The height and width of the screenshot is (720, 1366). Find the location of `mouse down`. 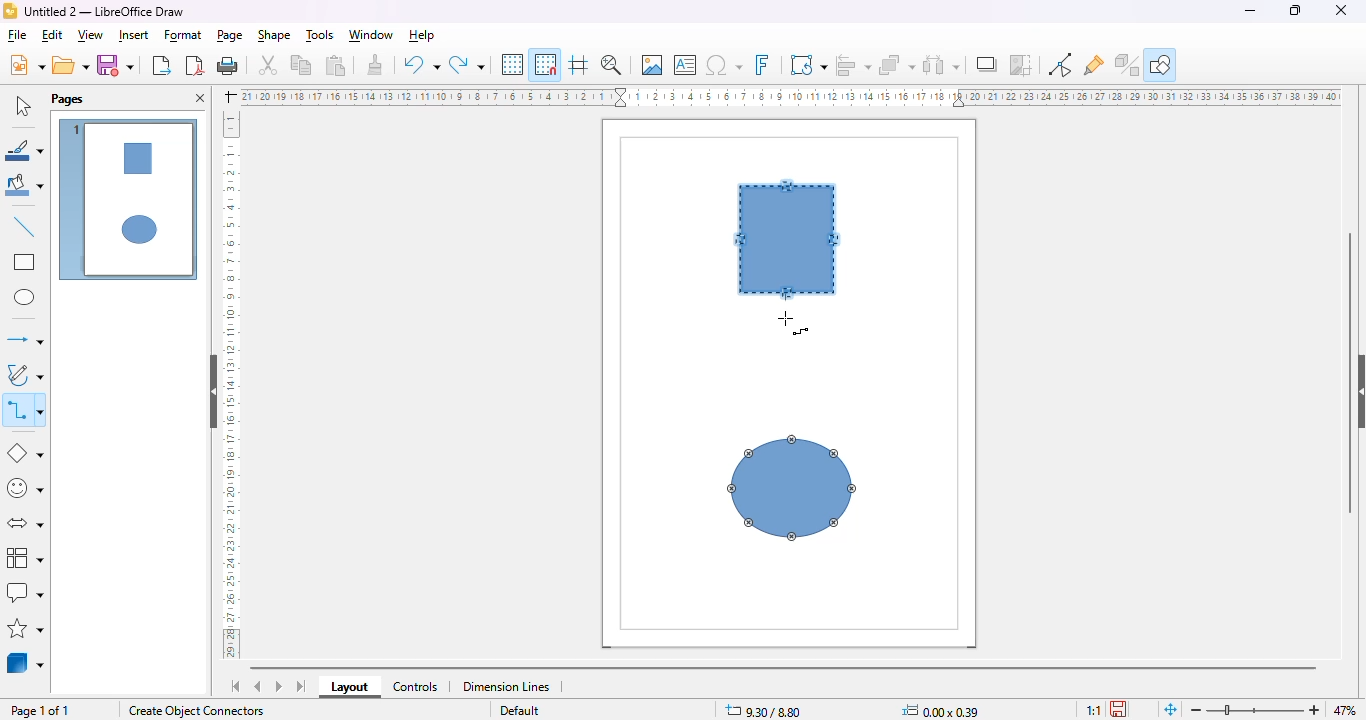

mouse down is located at coordinates (791, 321).